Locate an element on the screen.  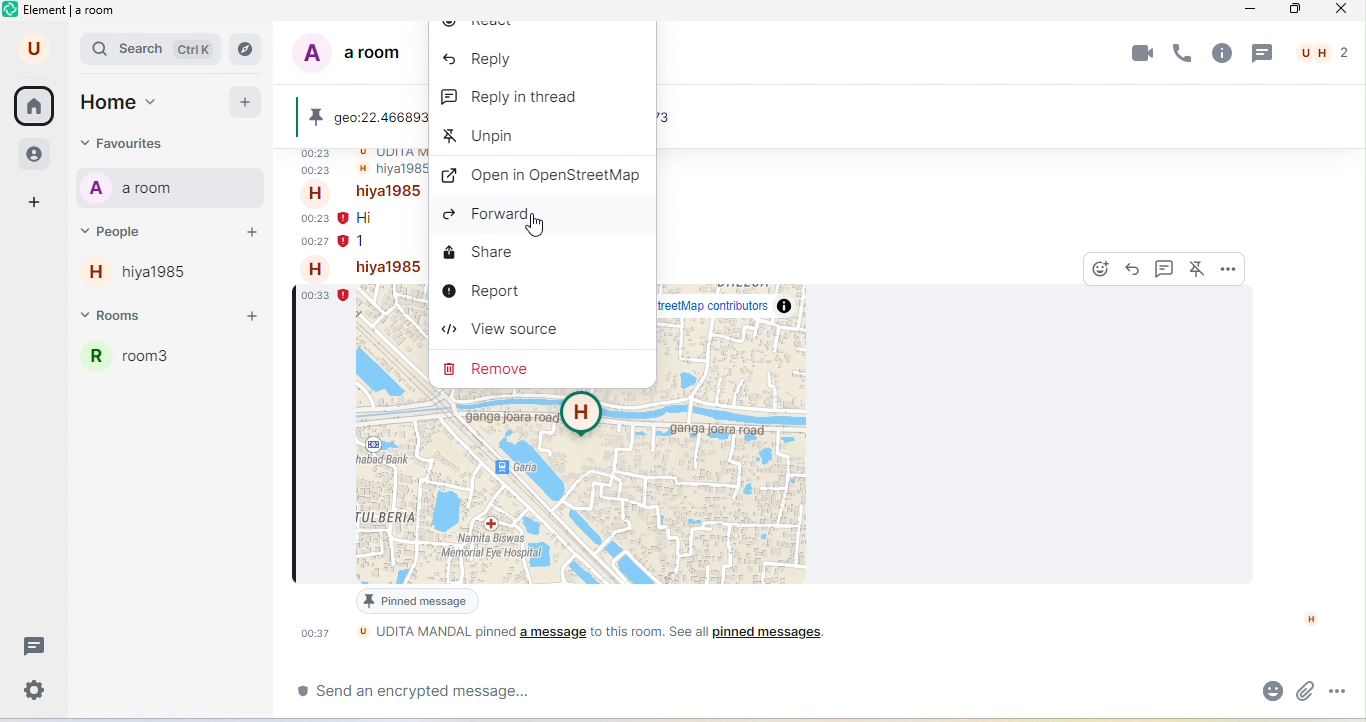
H is located at coordinates (1311, 619).